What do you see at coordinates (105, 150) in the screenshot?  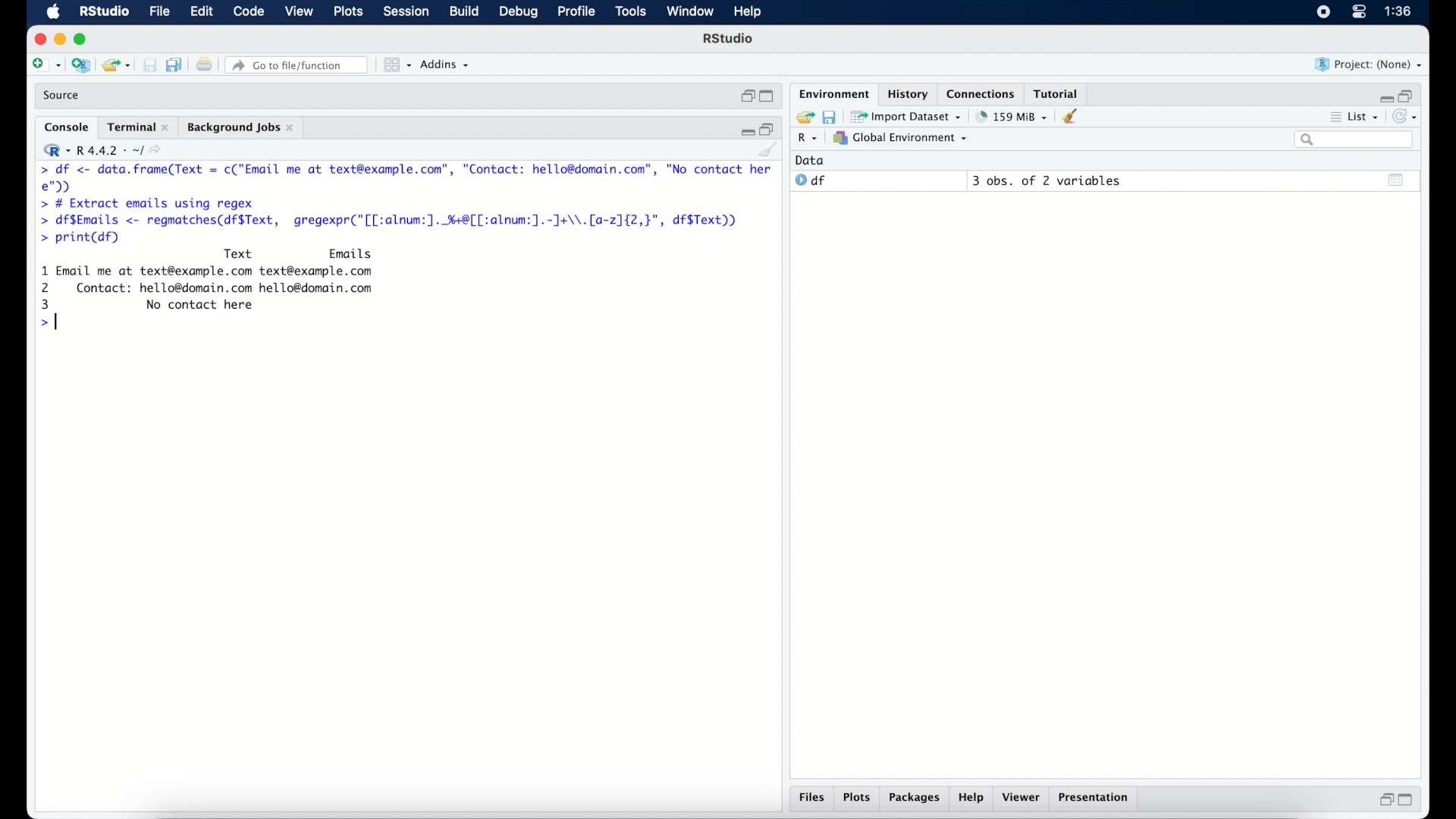 I see `R 4.4.2` at bounding box center [105, 150].